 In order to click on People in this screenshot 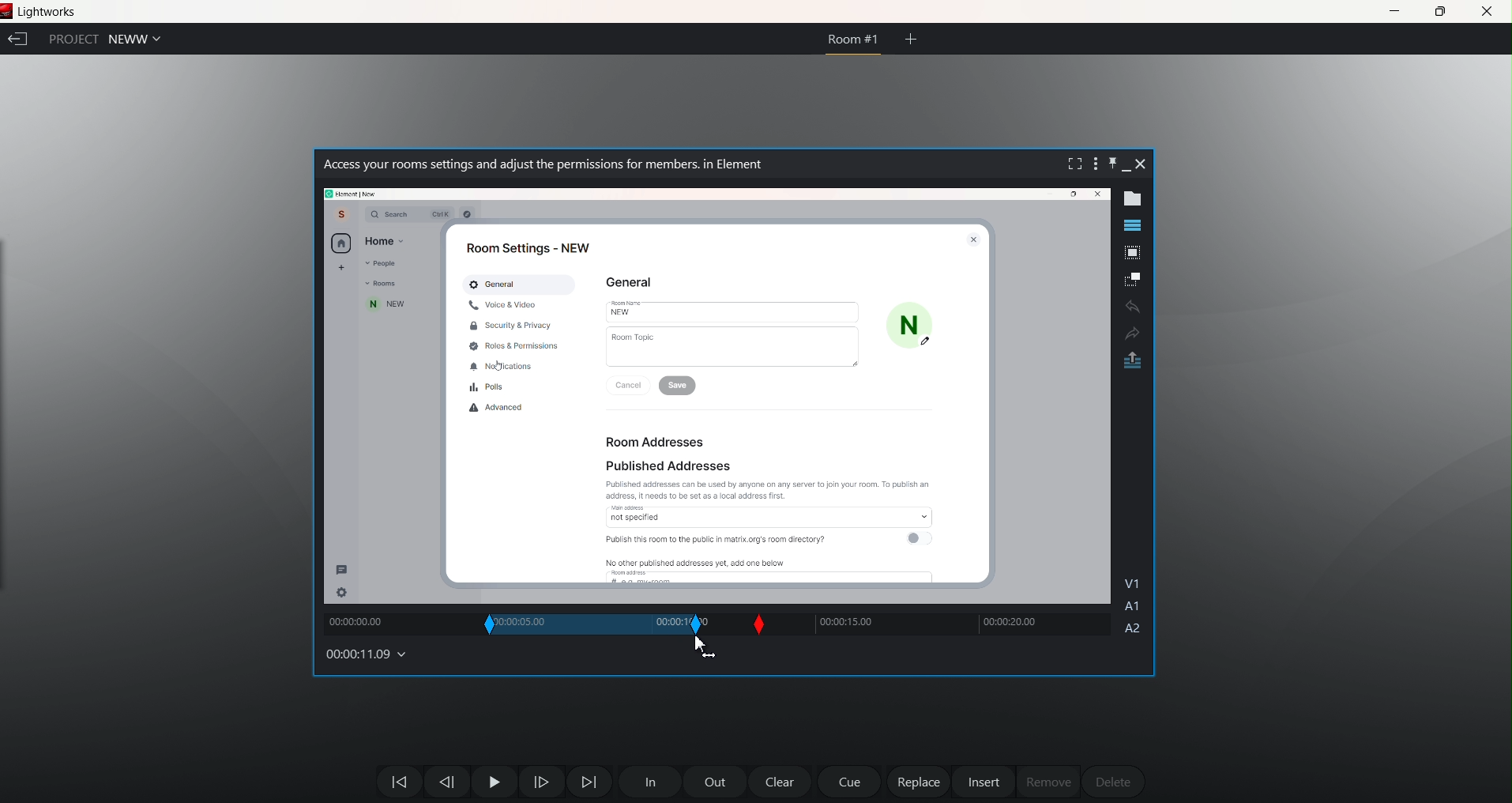, I will do `click(382, 263)`.